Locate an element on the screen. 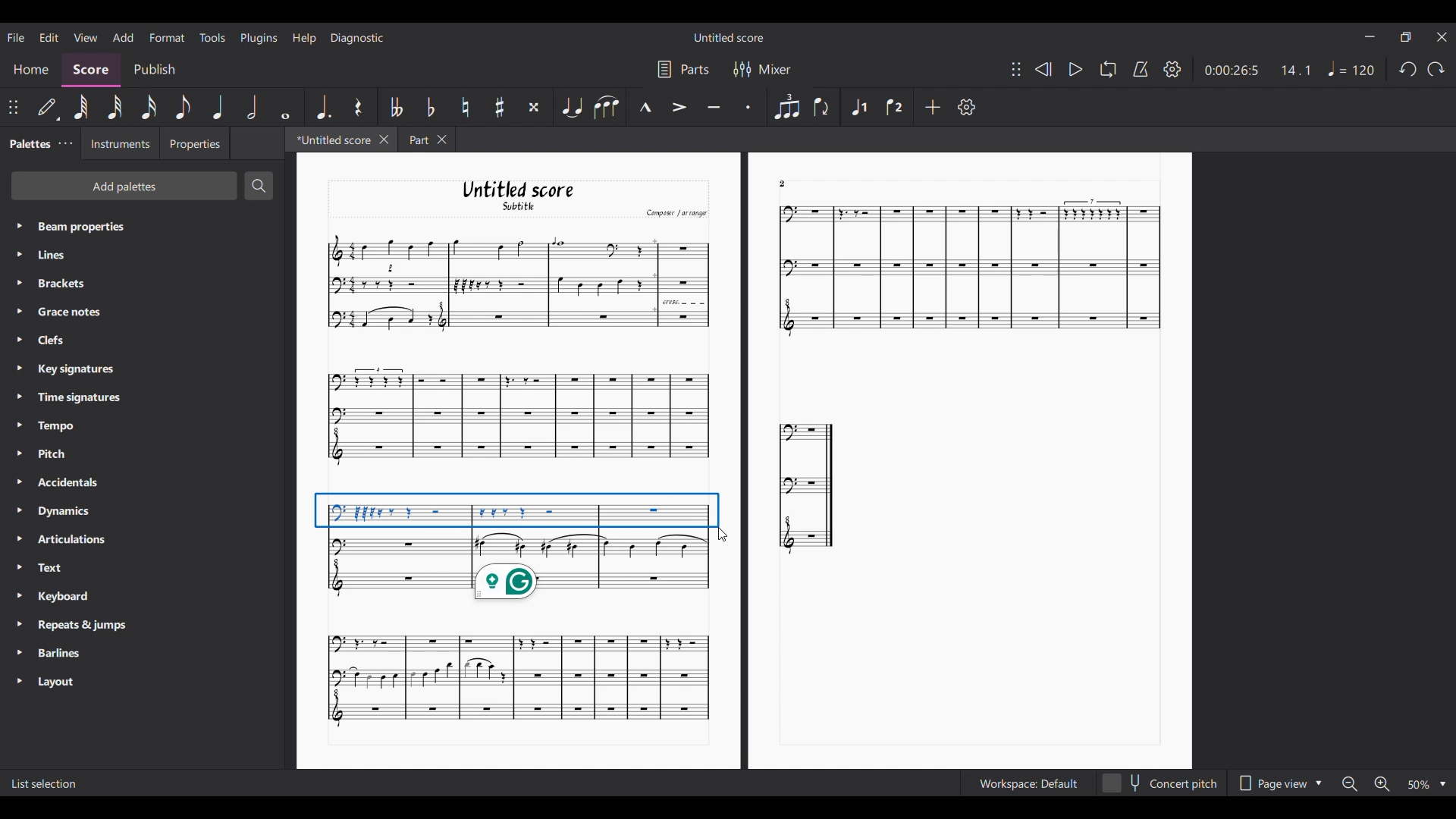 This screenshot has height=819, width=1456. Change position is located at coordinates (14, 108).